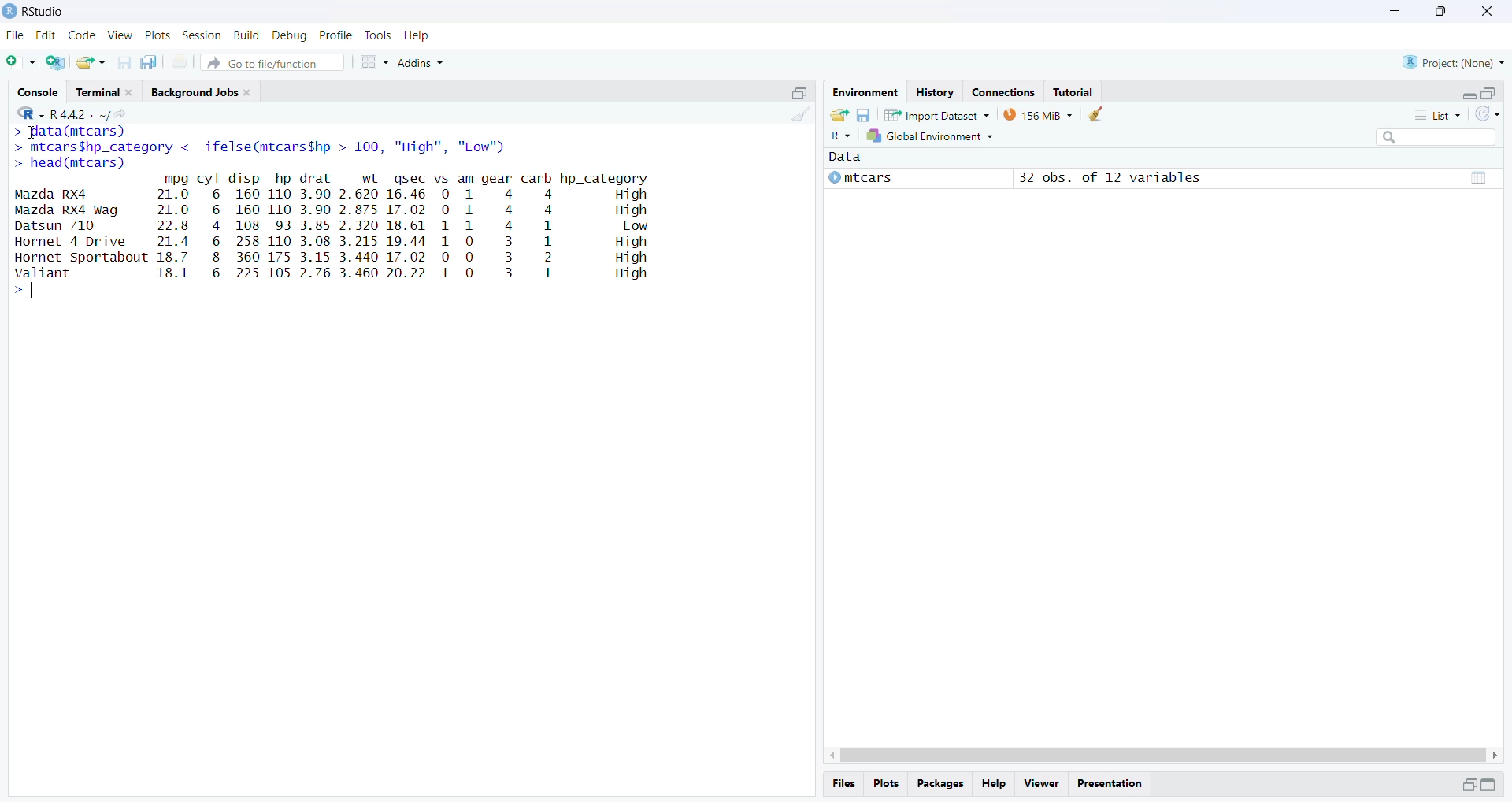 This screenshot has width=1512, height=802. I want to click on Minimize, so click(1395, 12).